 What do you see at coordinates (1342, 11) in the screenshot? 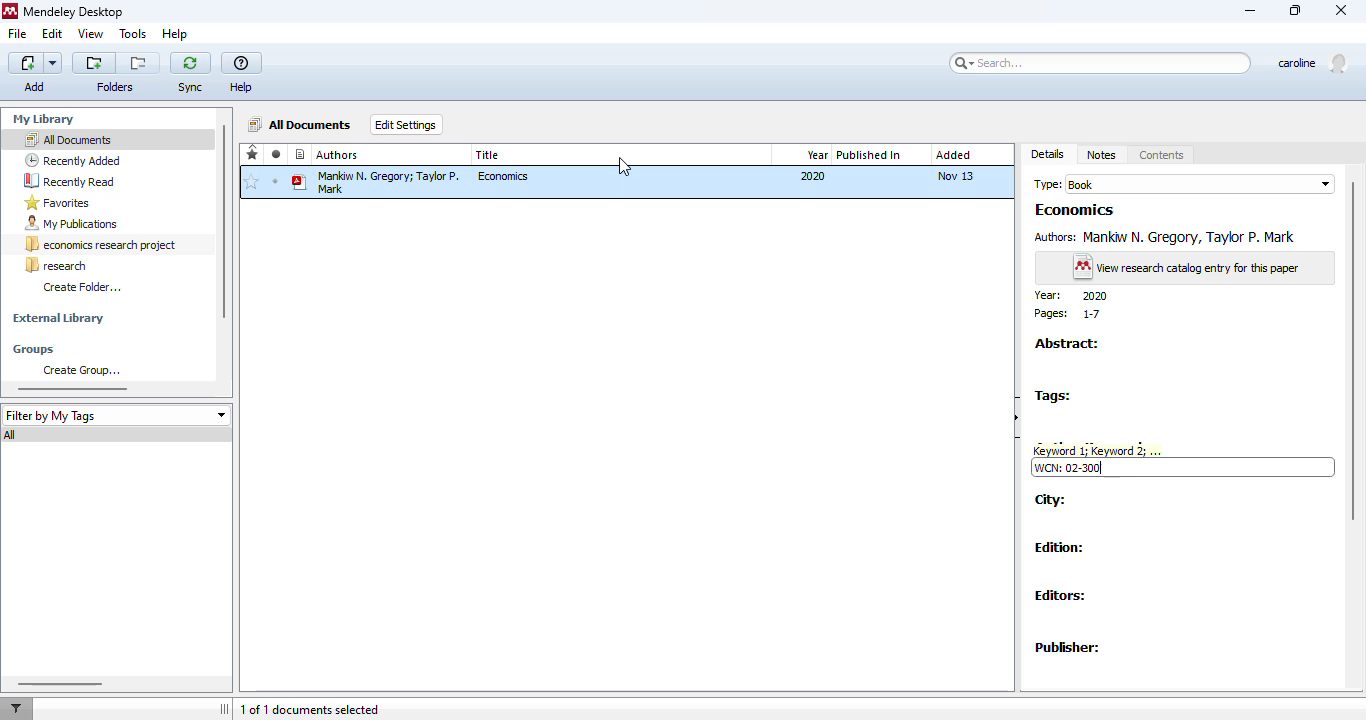
I see `close` at bounding box center [1342, 11].